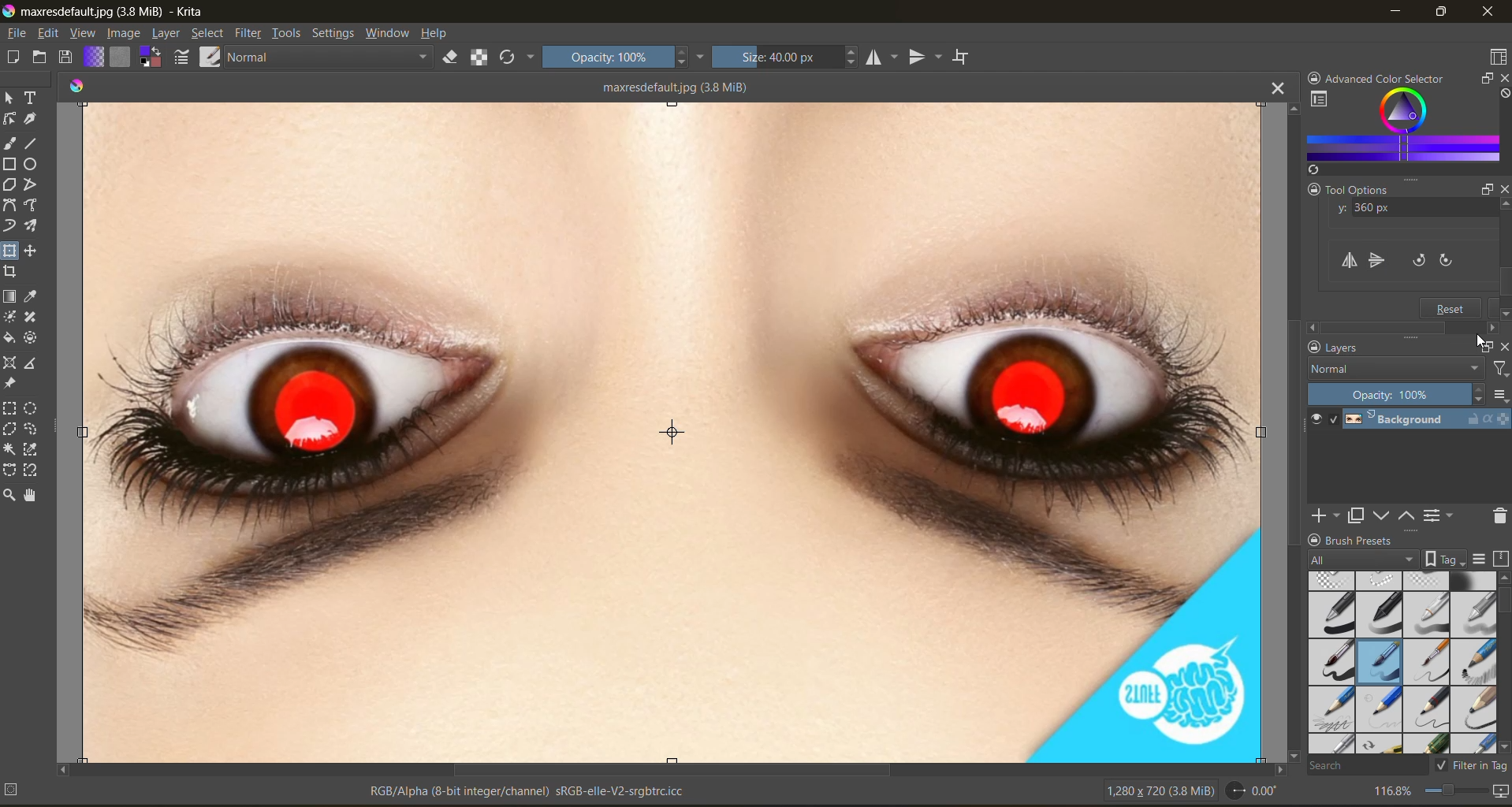 The width and height of the screenshot is (1512, 807). Describe the element at coordinates (14, 33) in the screenshot. I see `file` at that location.